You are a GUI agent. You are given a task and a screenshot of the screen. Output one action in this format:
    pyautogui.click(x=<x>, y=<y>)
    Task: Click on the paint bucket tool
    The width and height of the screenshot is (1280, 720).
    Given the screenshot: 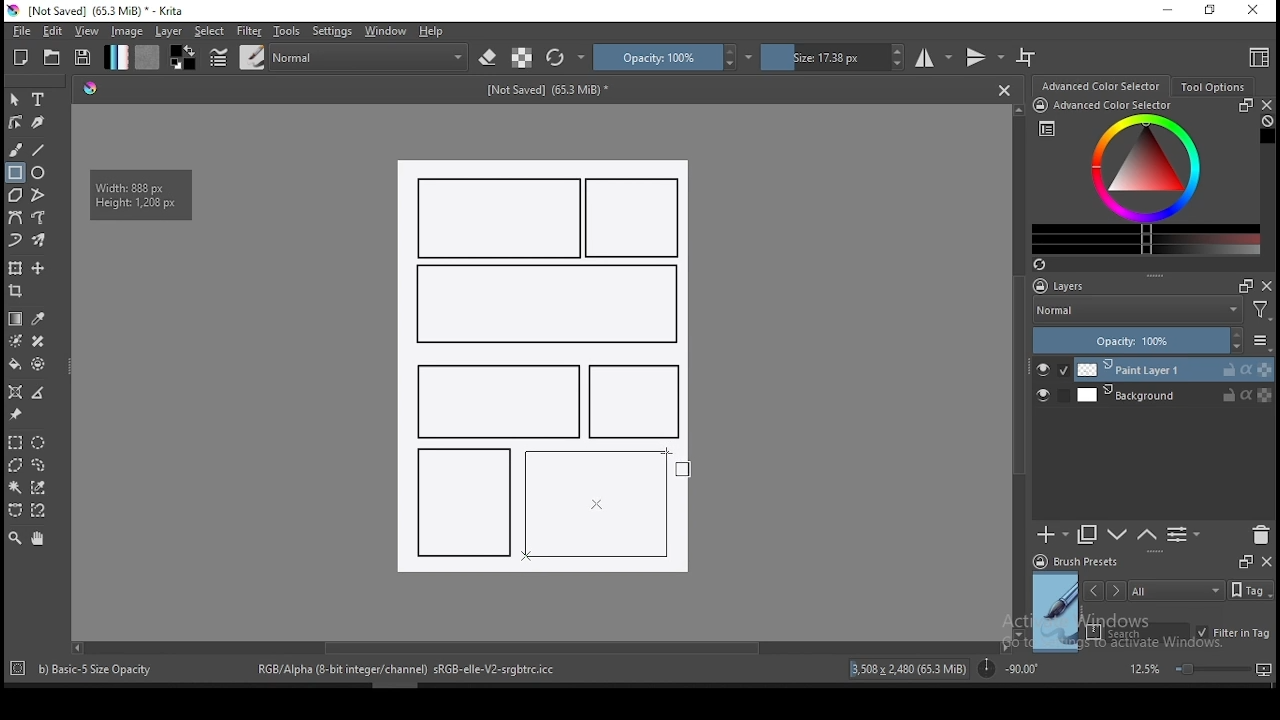 What is the action you would take?
    pyautogui.click(x=15, y=364)
    